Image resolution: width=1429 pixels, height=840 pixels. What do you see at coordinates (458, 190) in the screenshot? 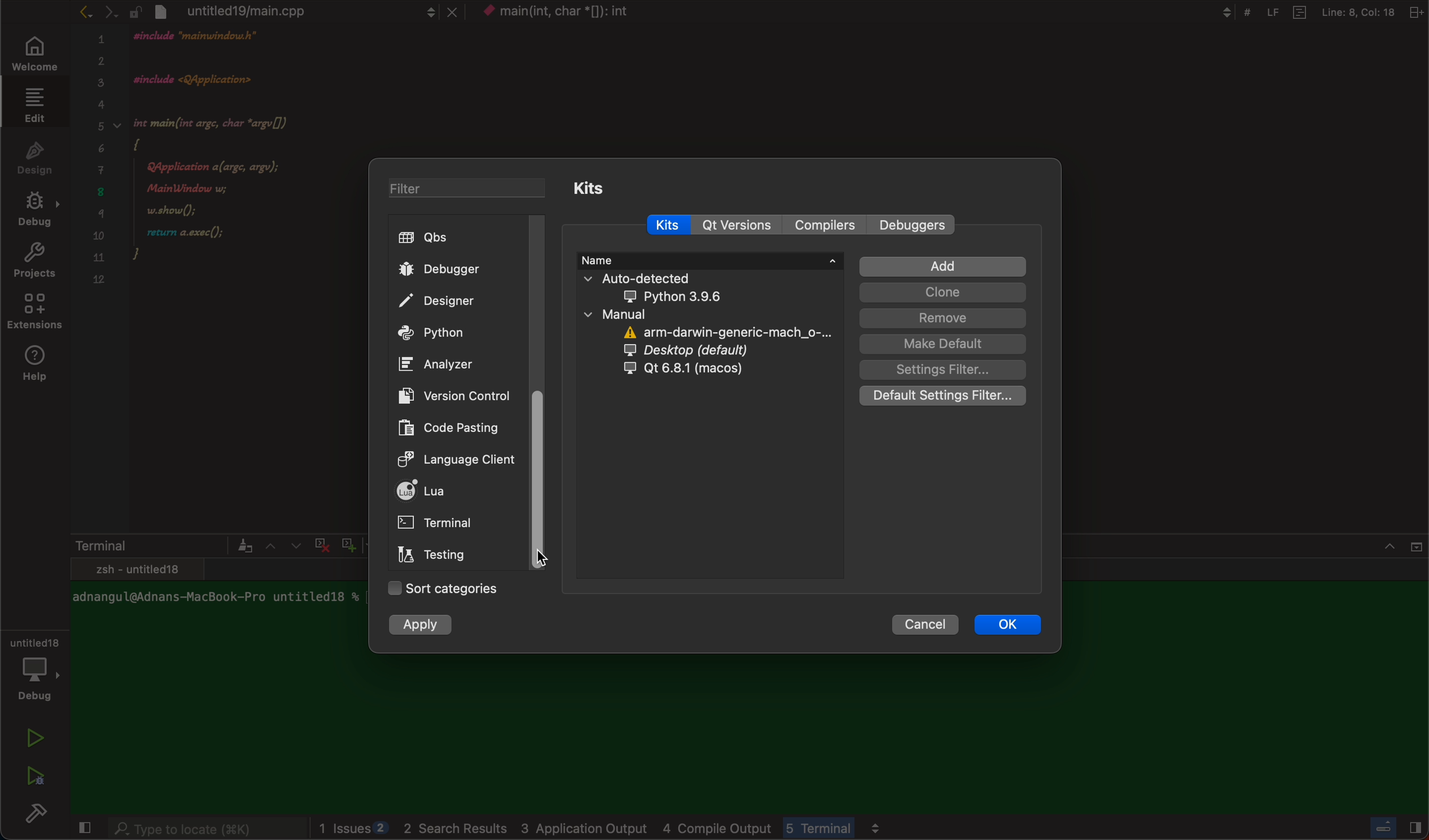
I see `filter` at bounding box center [458, 190].